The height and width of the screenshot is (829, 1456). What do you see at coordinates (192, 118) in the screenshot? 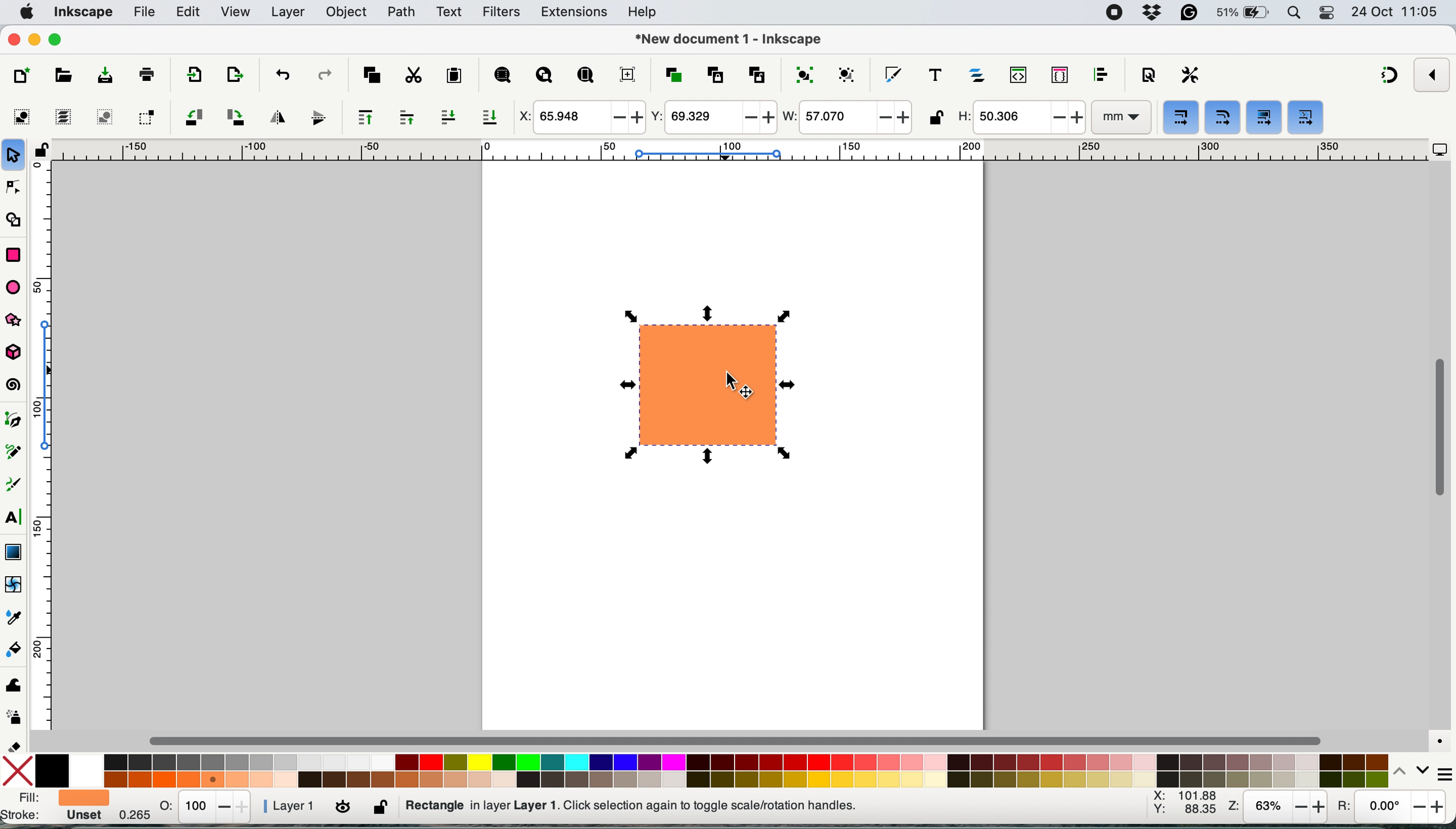
I see `object rotate 90 ccw` at bounding box center [192, 118].